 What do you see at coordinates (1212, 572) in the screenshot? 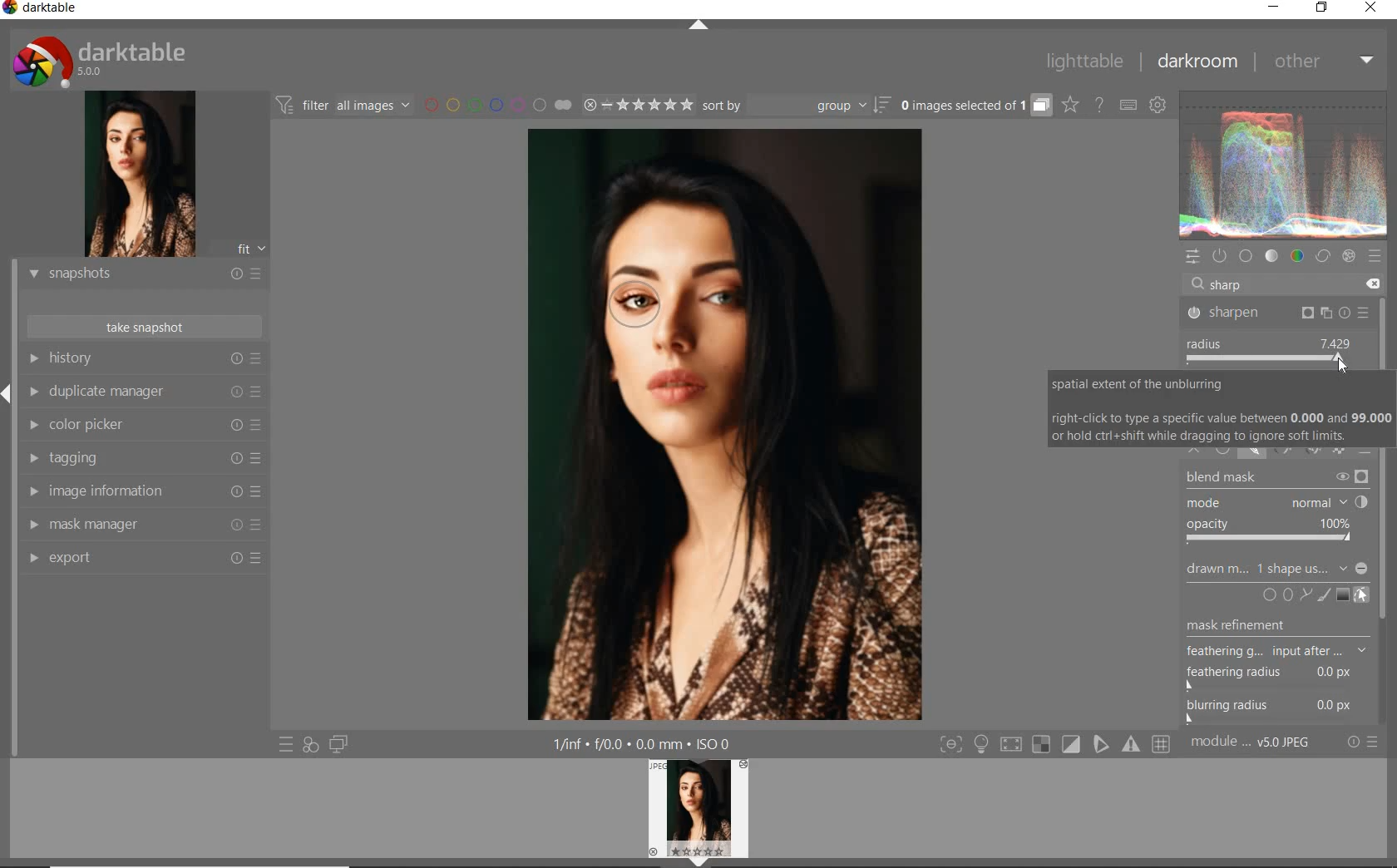
I see `drawn mask` at bounding box center [1212, 572].